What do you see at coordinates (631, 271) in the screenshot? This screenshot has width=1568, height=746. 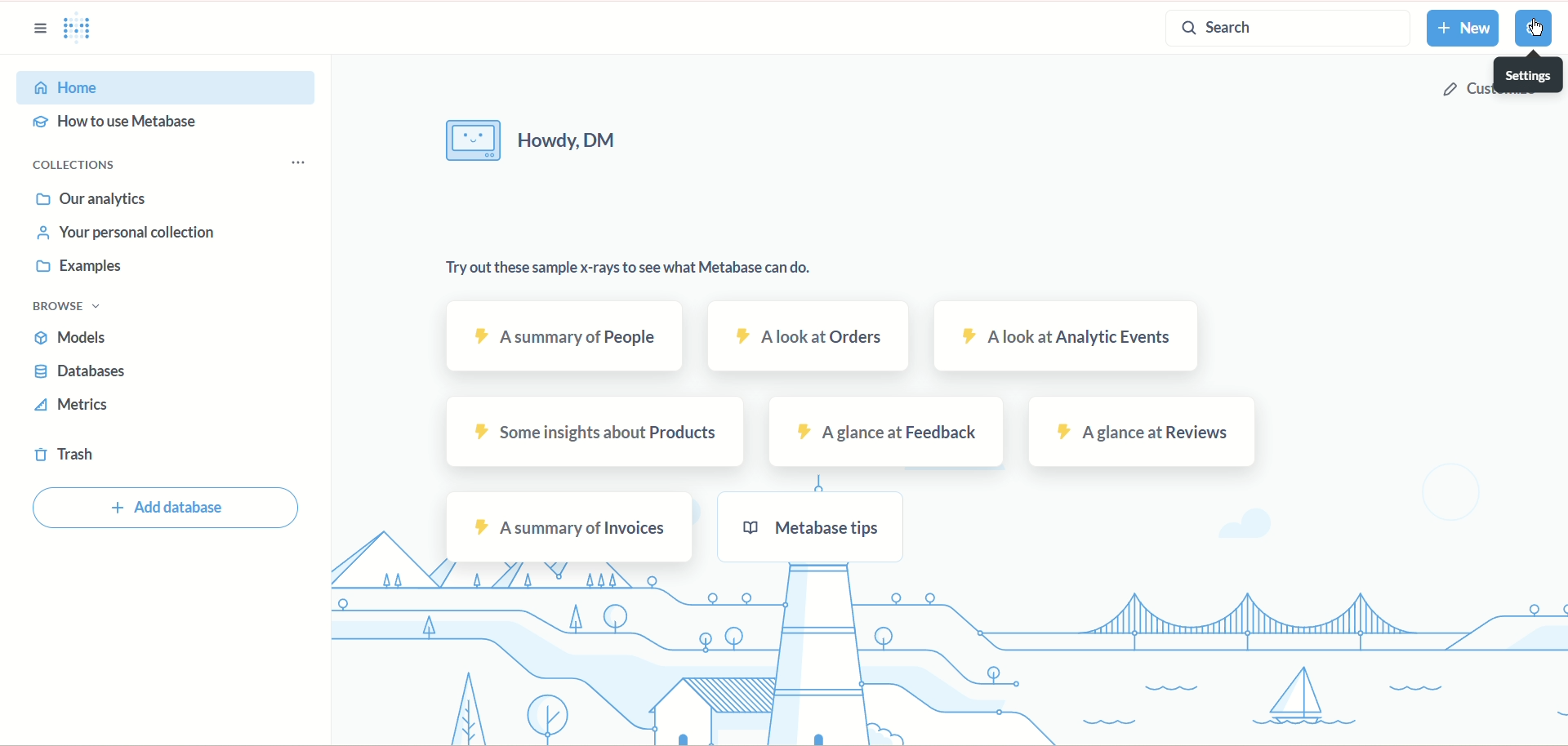 I see `try out these sample x-rays to see what metabase can do` at bounding box center [631, 271].